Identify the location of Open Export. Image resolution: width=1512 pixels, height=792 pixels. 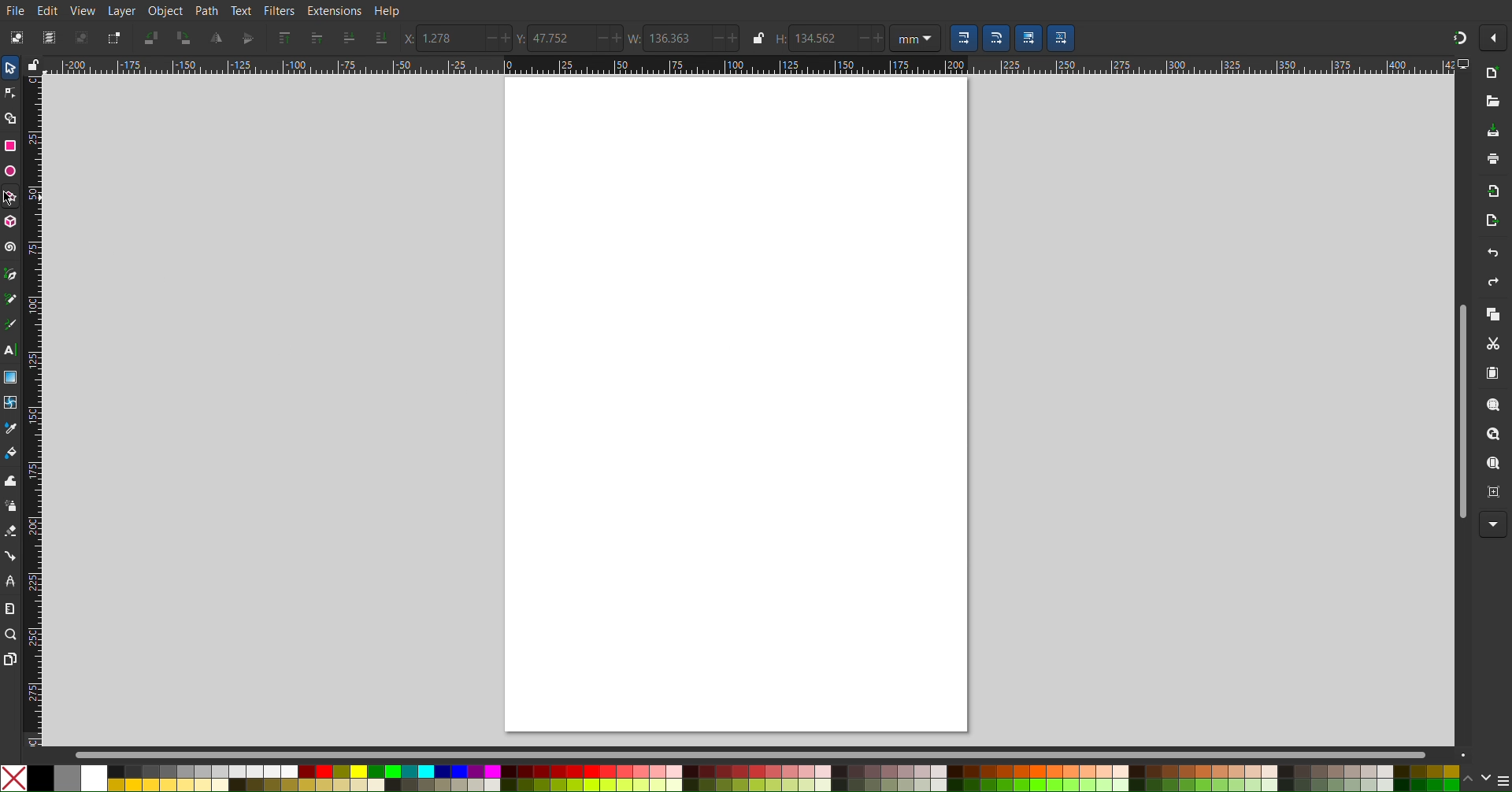
(1493, 222).